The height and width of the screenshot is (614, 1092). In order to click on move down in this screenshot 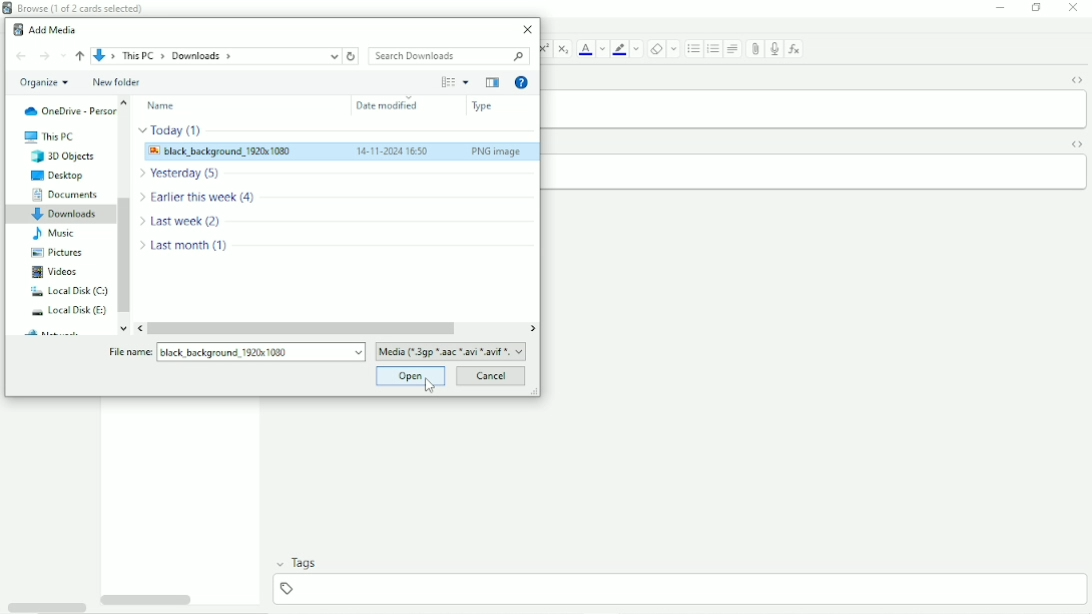, I will do `click(123, 328)`.